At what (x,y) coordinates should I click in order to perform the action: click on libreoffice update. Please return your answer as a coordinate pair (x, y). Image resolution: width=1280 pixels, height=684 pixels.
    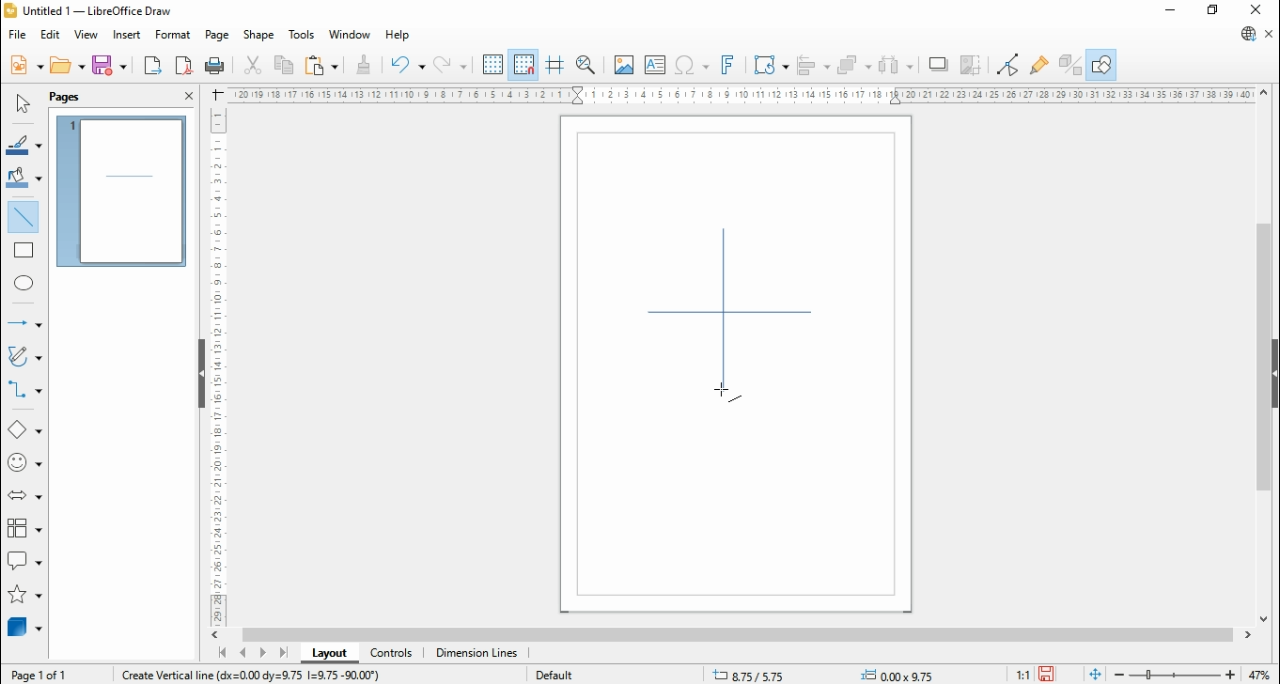
    Looking at the image, I should click on (1247, 34).